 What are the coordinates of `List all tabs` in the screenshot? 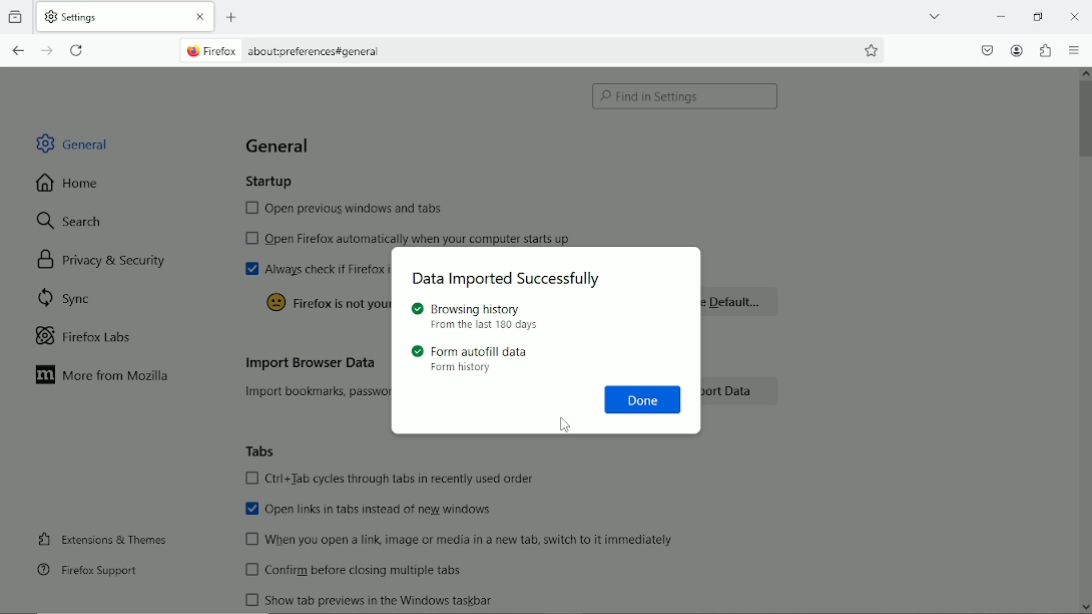 It's located at (935, 15).